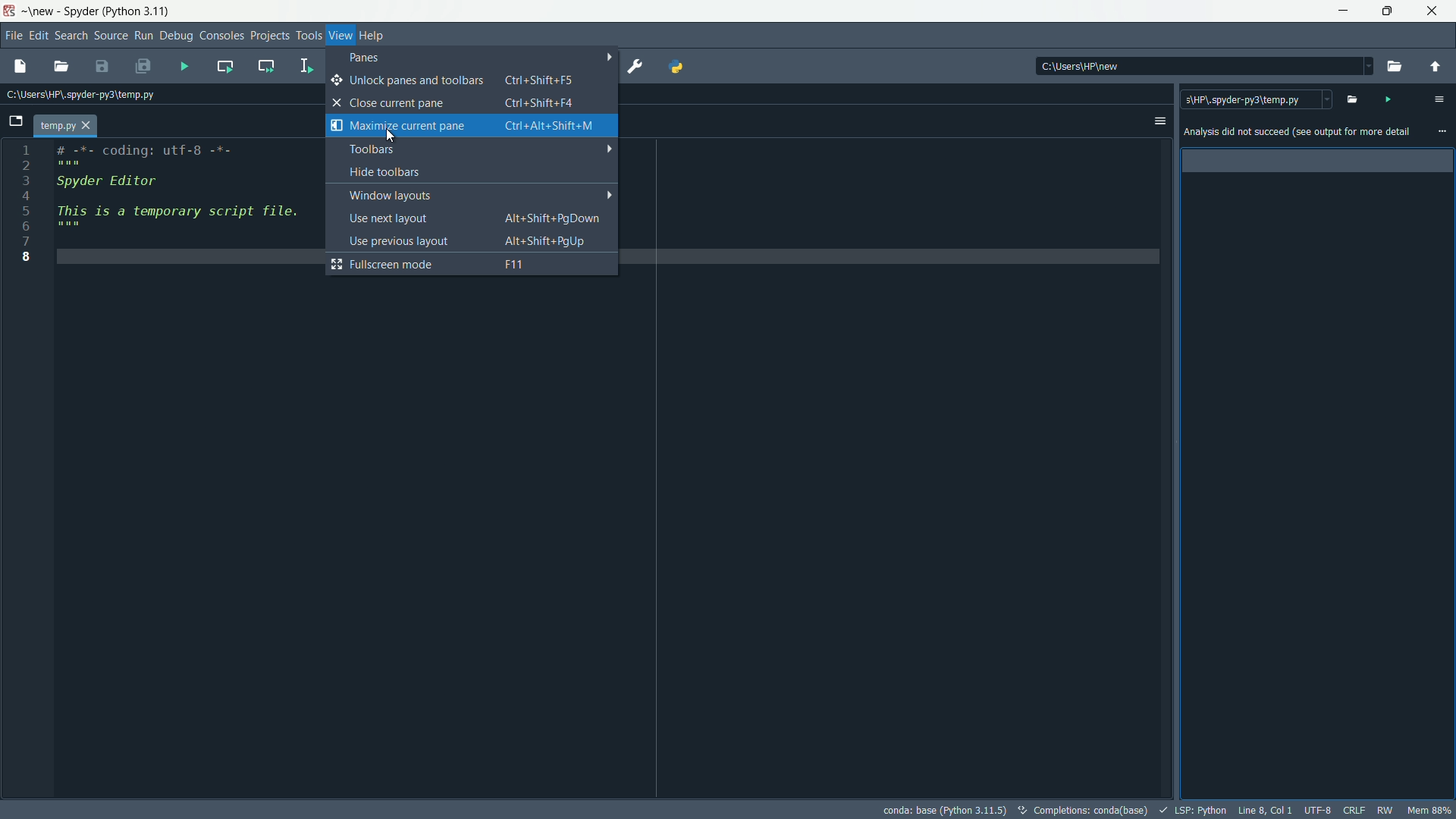 This screenshot has width=1456, height=819. What do you see at coordinates (184, 66) in the screenshot?
I see `run file` at bounding box center [184, 66].